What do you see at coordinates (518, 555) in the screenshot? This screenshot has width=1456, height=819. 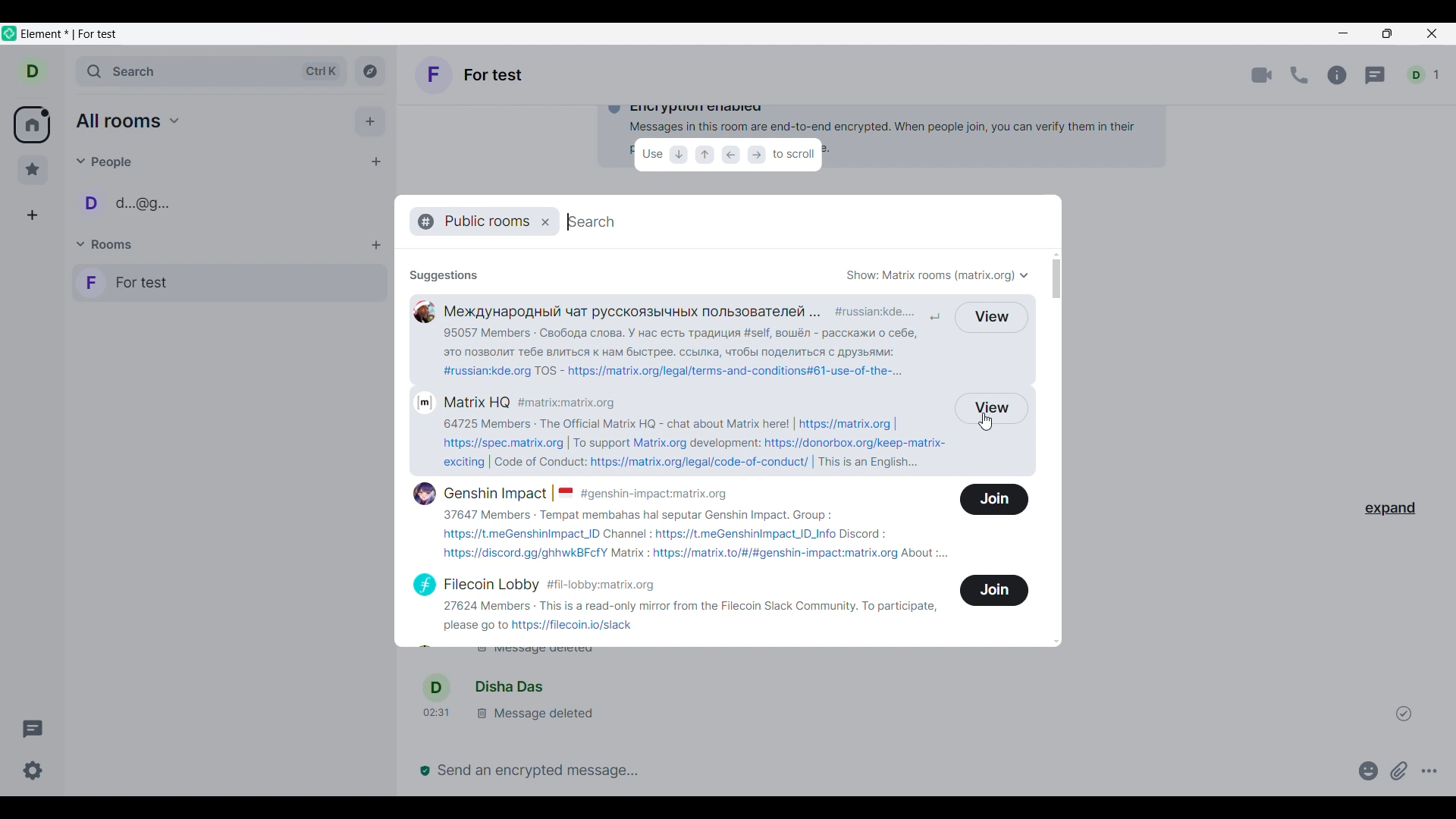 I see `https://discord.gg/ghhwkBFcfY` at bounding box center [518, 555].